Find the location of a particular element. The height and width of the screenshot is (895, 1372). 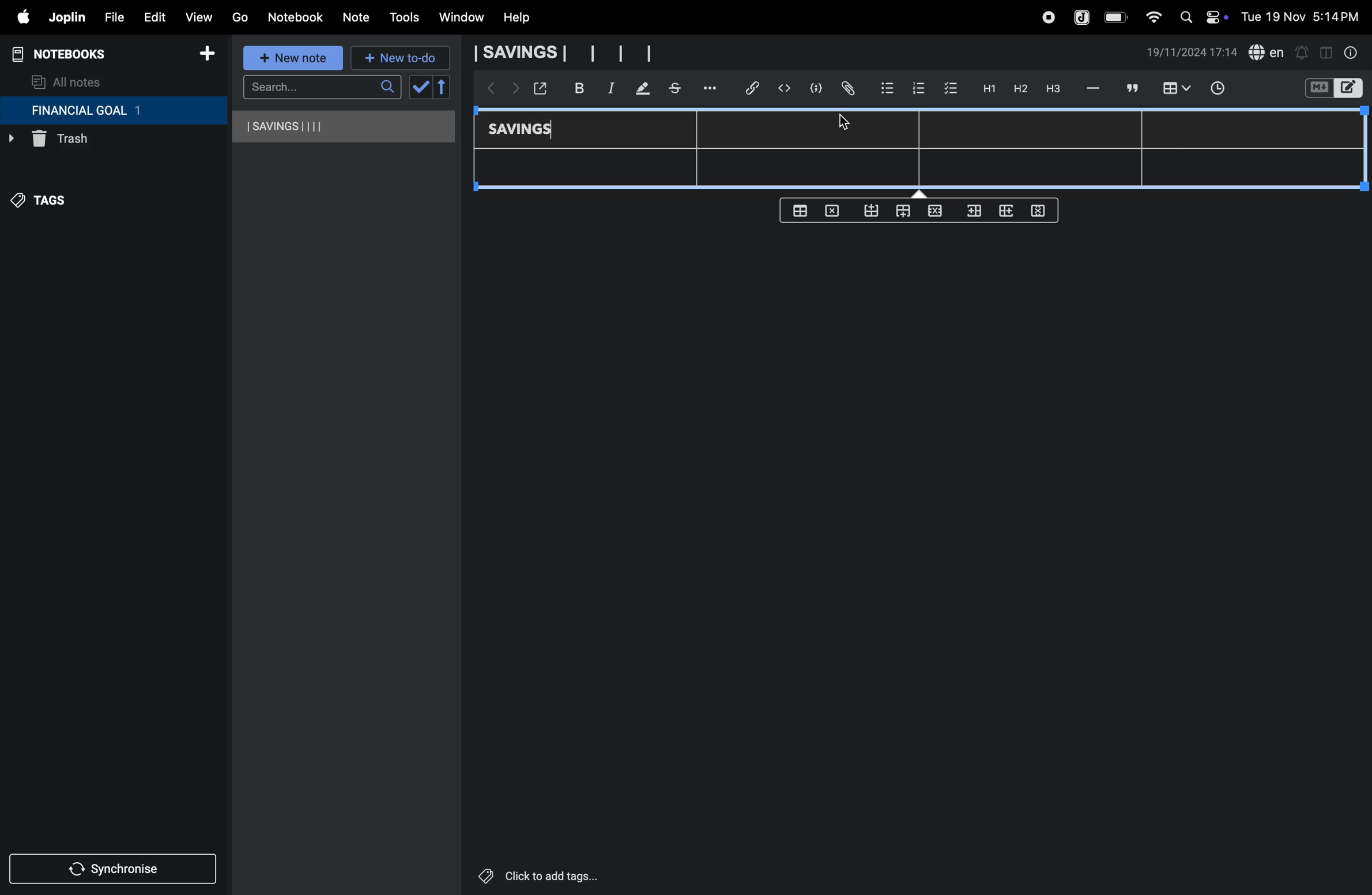

insert code is located at coordinates (785, 88).